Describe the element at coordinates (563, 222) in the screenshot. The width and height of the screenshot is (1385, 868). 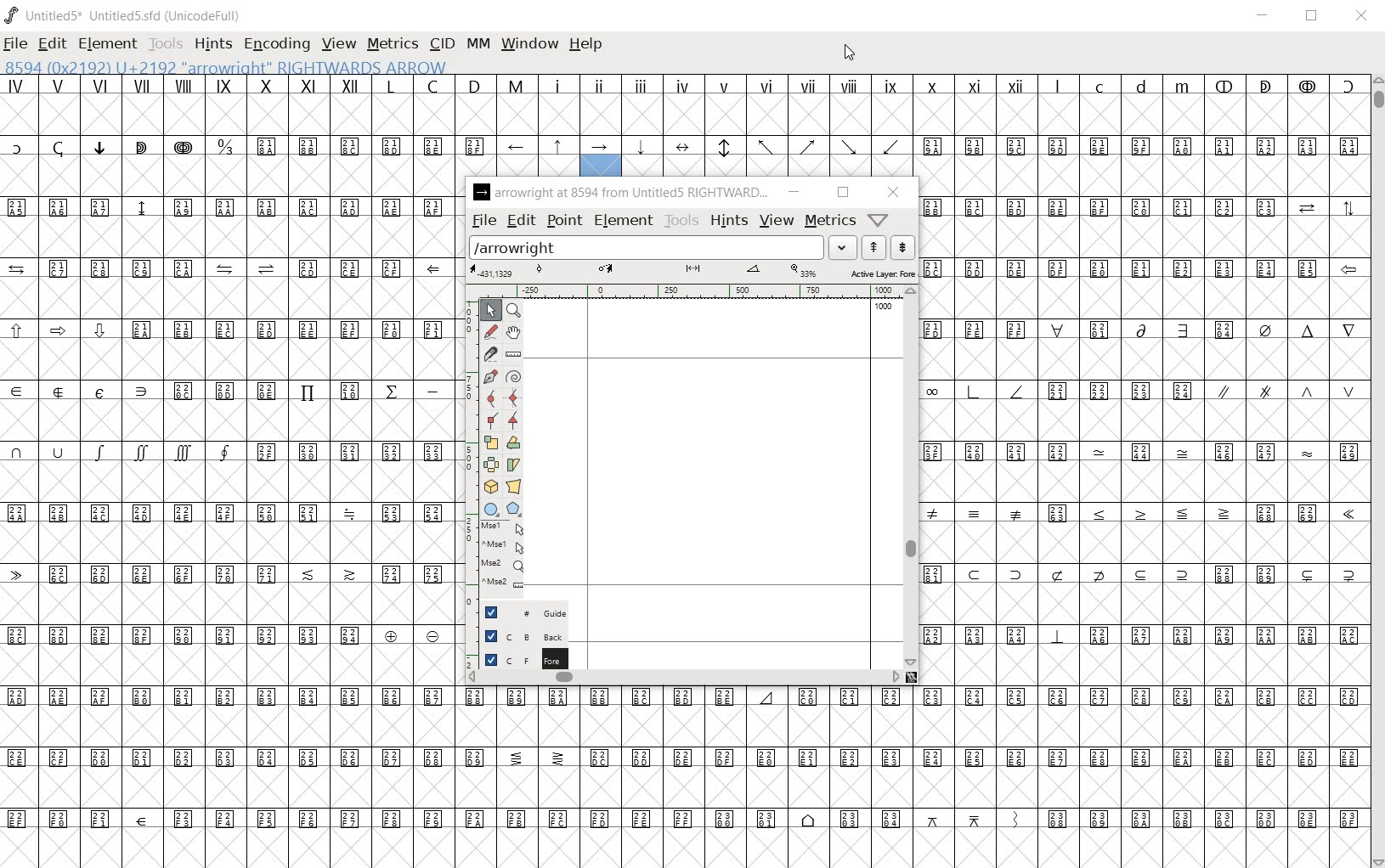
I see `point` at that location.